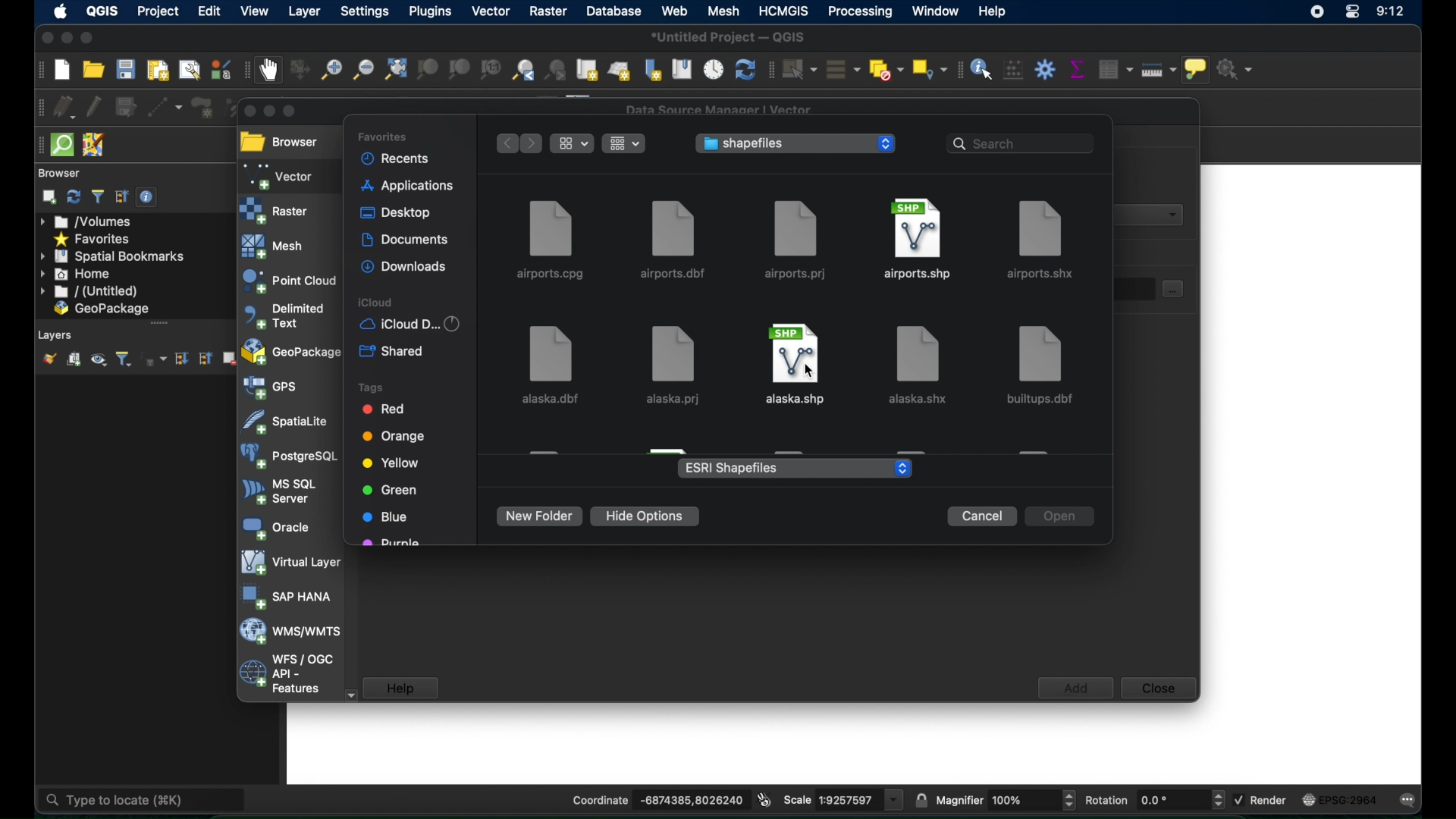 Image resolution: width=1456 pixels, height=819 pixels. Describe the element at coordinates (77, 274) in the screenshot. I see `home` at that location.